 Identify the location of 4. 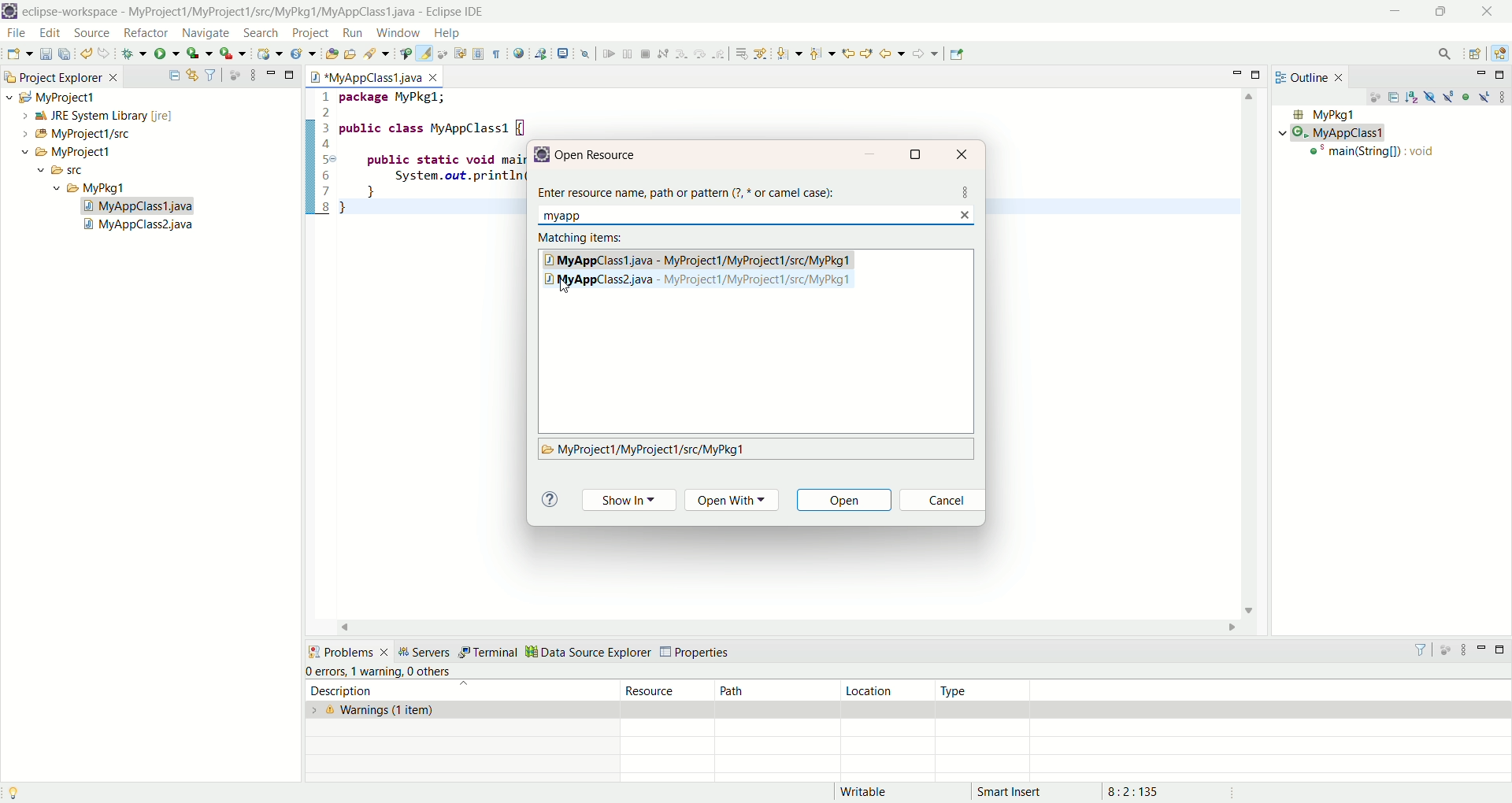
(329, 146).